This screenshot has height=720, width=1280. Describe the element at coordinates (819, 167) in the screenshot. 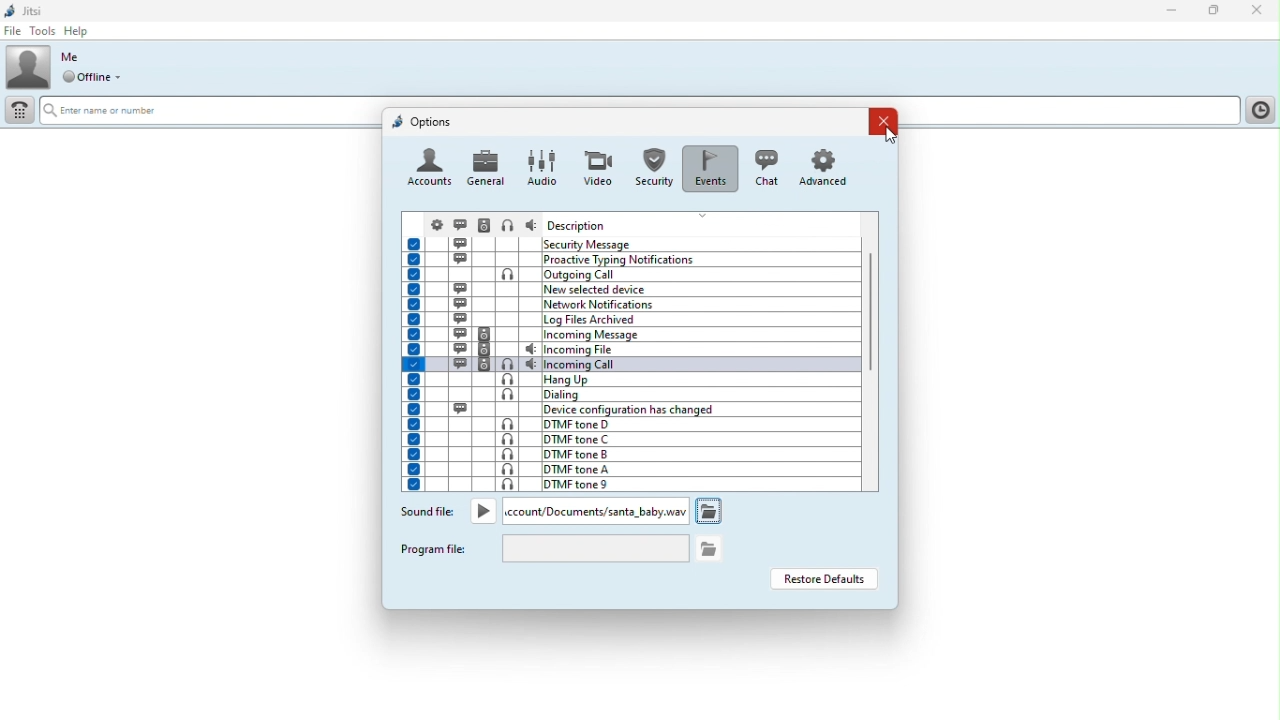

I see `advanced` at that location.